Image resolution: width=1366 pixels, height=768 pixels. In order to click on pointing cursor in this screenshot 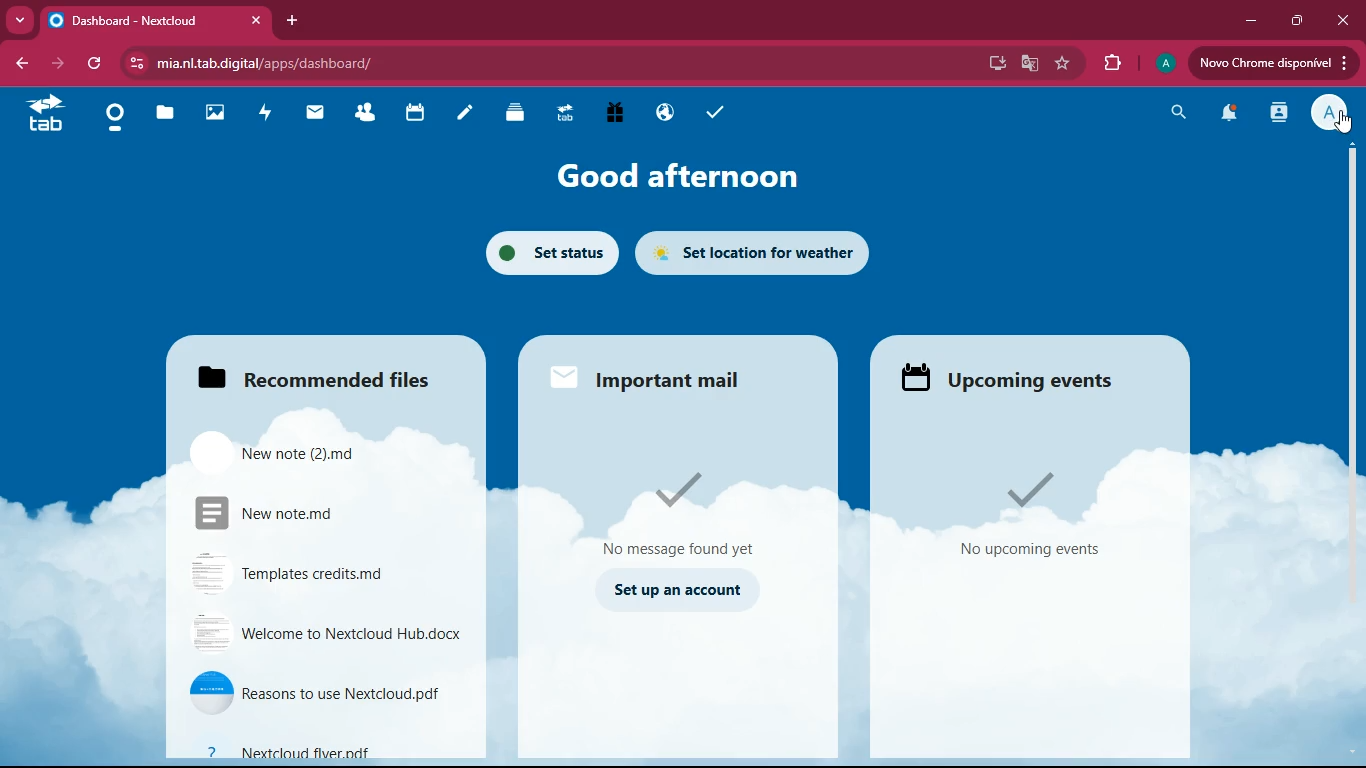, I will do `click(1341, 122)`.